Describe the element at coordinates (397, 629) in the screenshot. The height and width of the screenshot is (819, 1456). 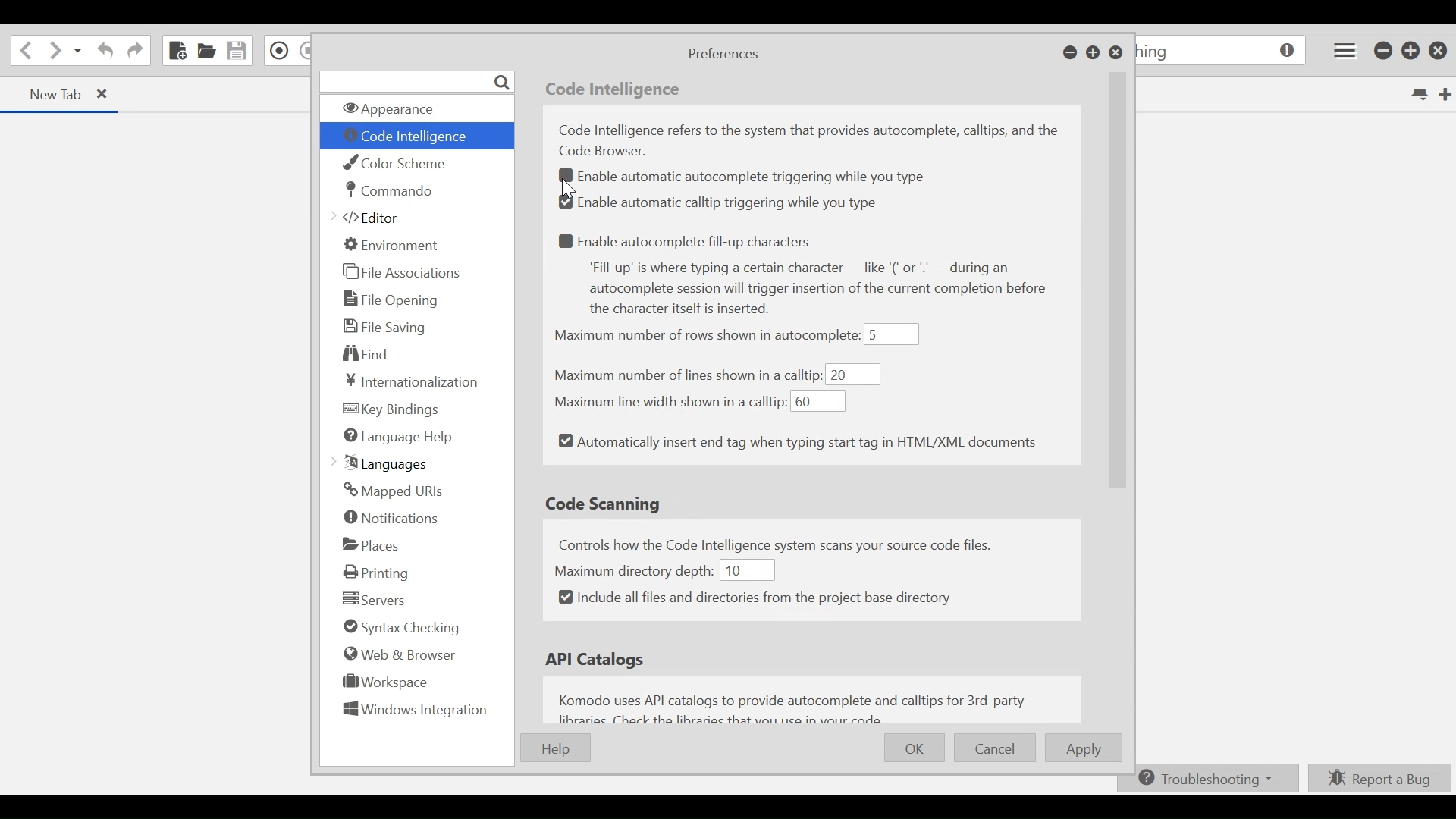
I see `Syntax Checking` at that location.